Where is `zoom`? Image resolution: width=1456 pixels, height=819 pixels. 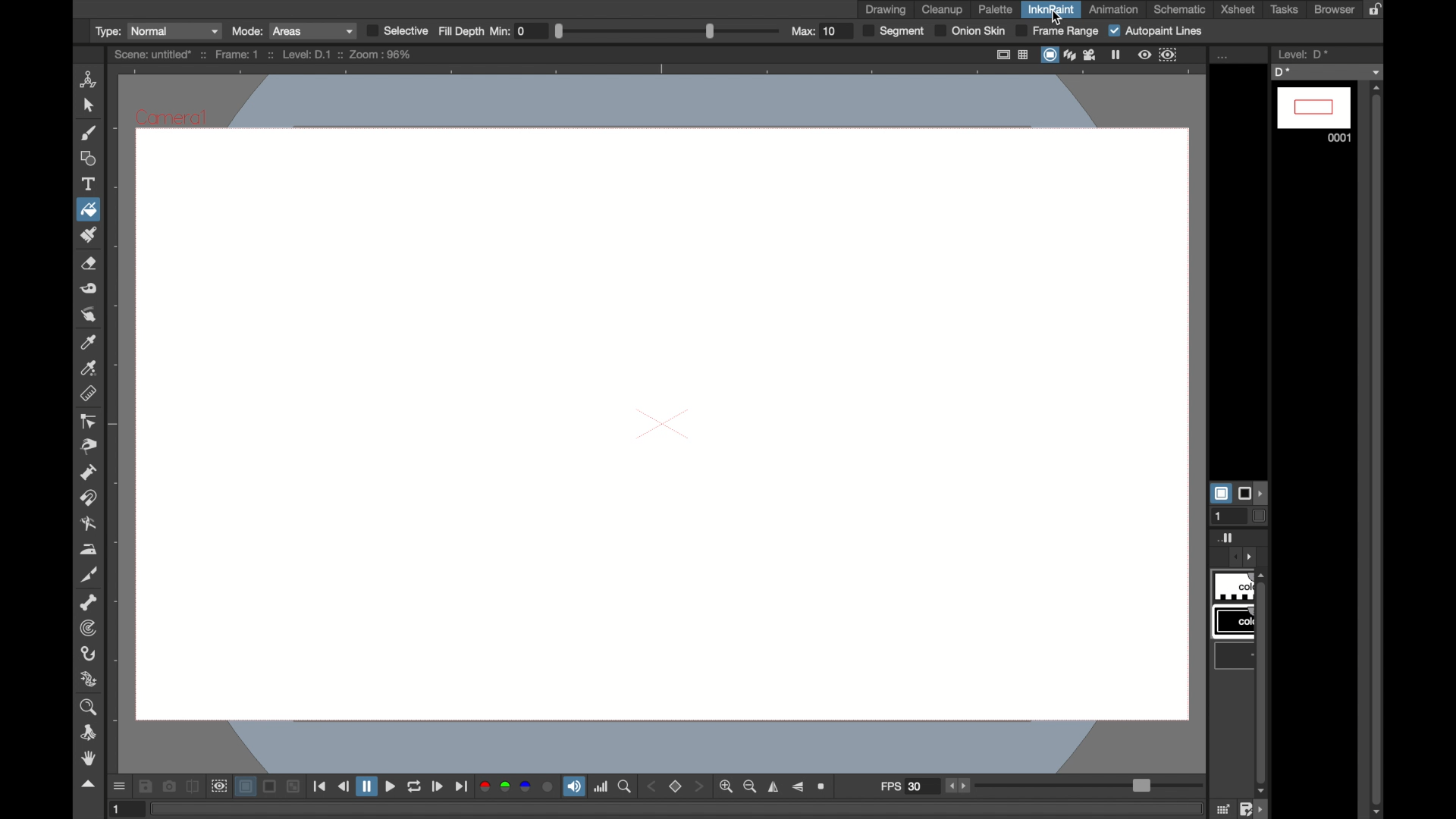
zoom is located at coordinates (822, 786).